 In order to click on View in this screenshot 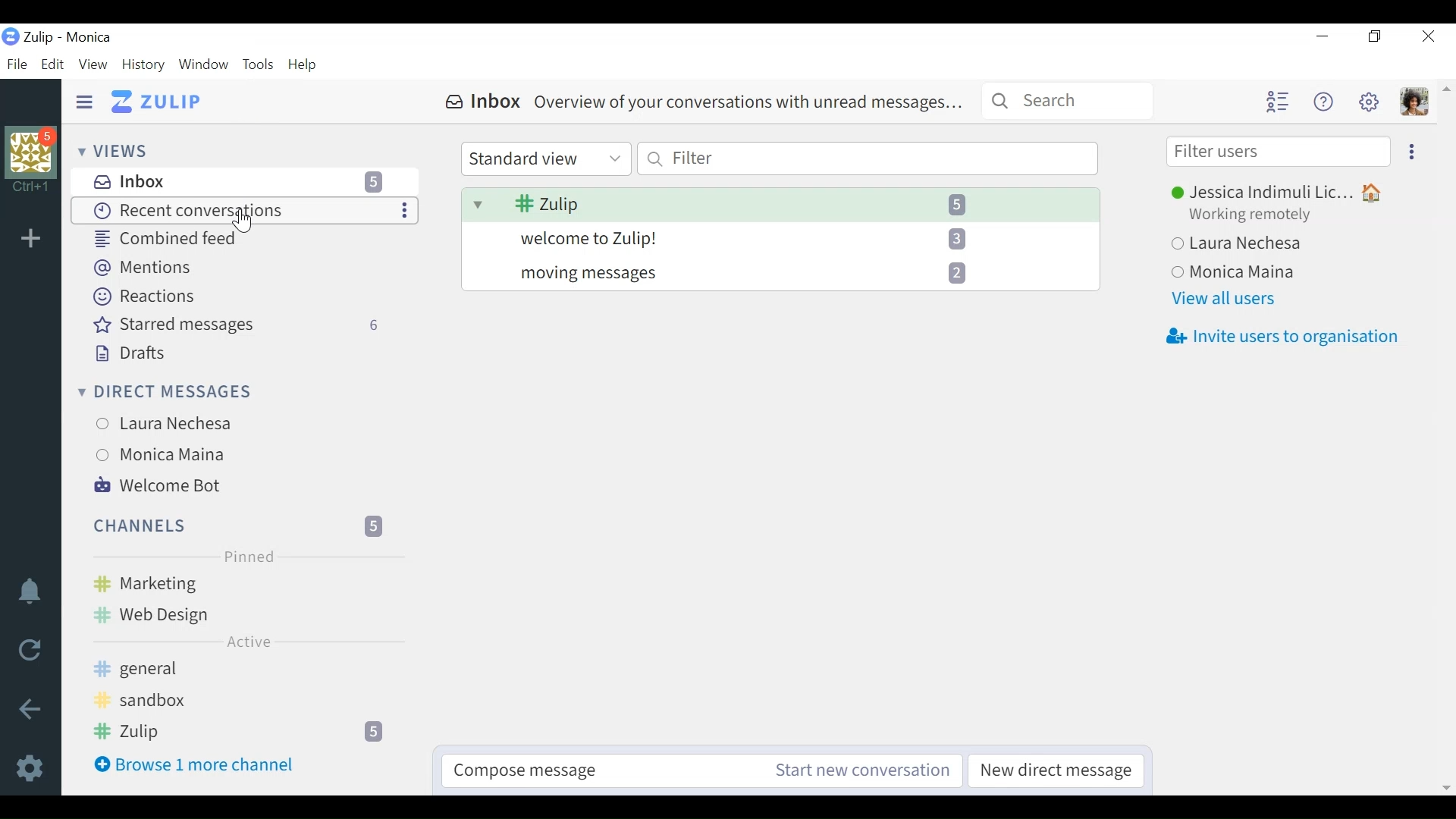, I will do `click(93, 64)`.